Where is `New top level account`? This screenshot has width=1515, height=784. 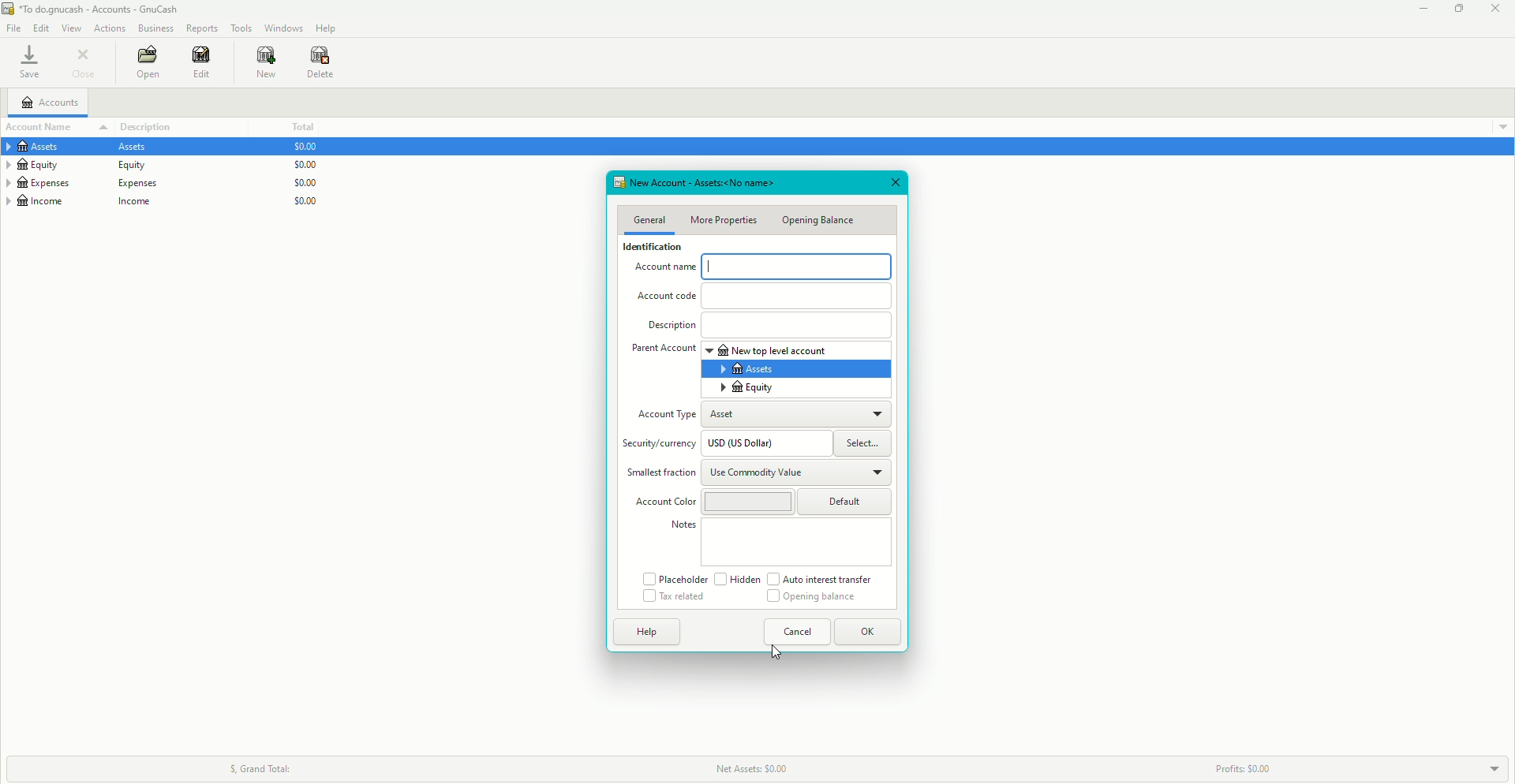
New top level account is located at coordinates (772, 350).